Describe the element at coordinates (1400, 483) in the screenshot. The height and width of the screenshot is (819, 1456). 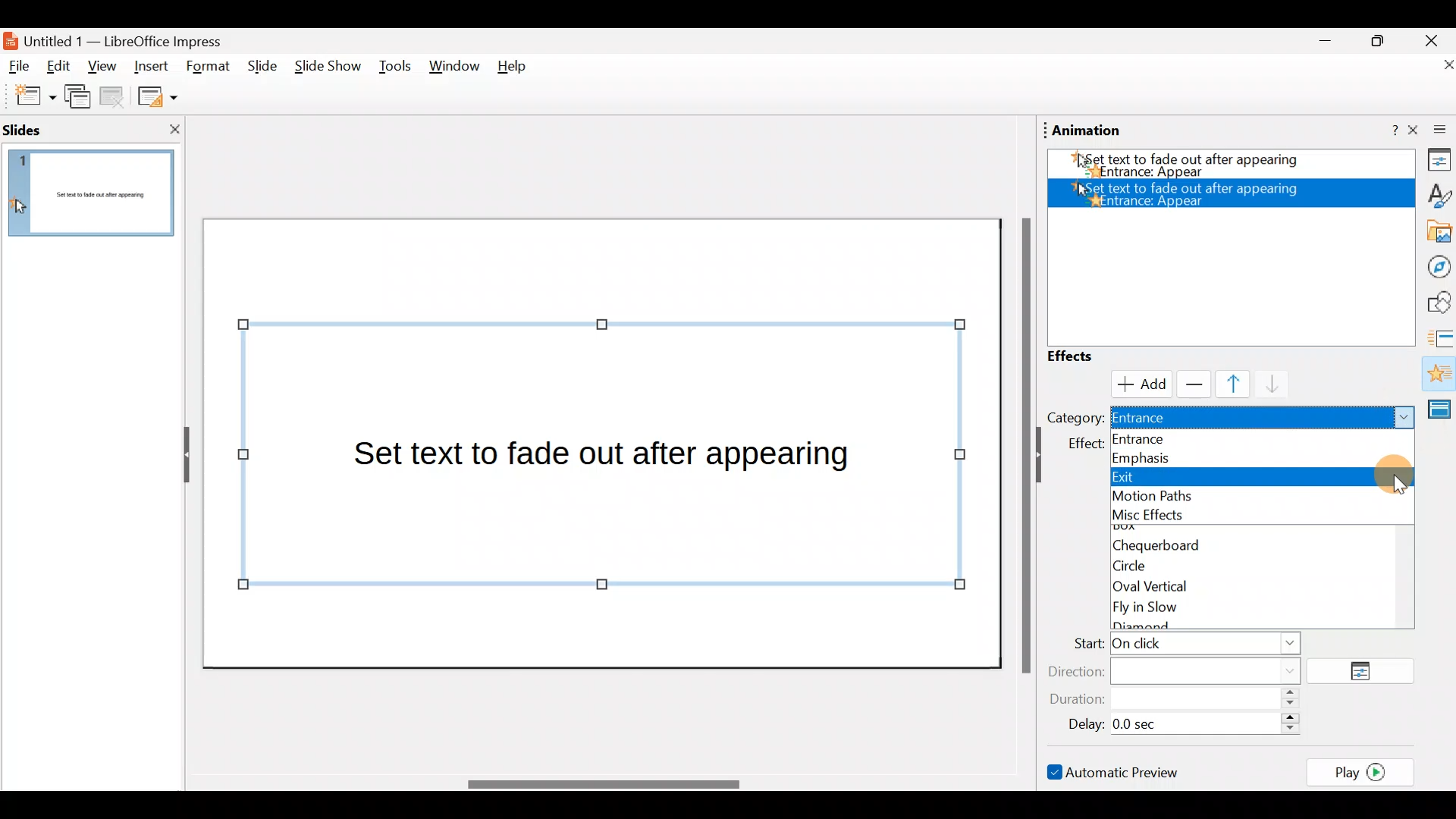
I see `Add effect` at that location.